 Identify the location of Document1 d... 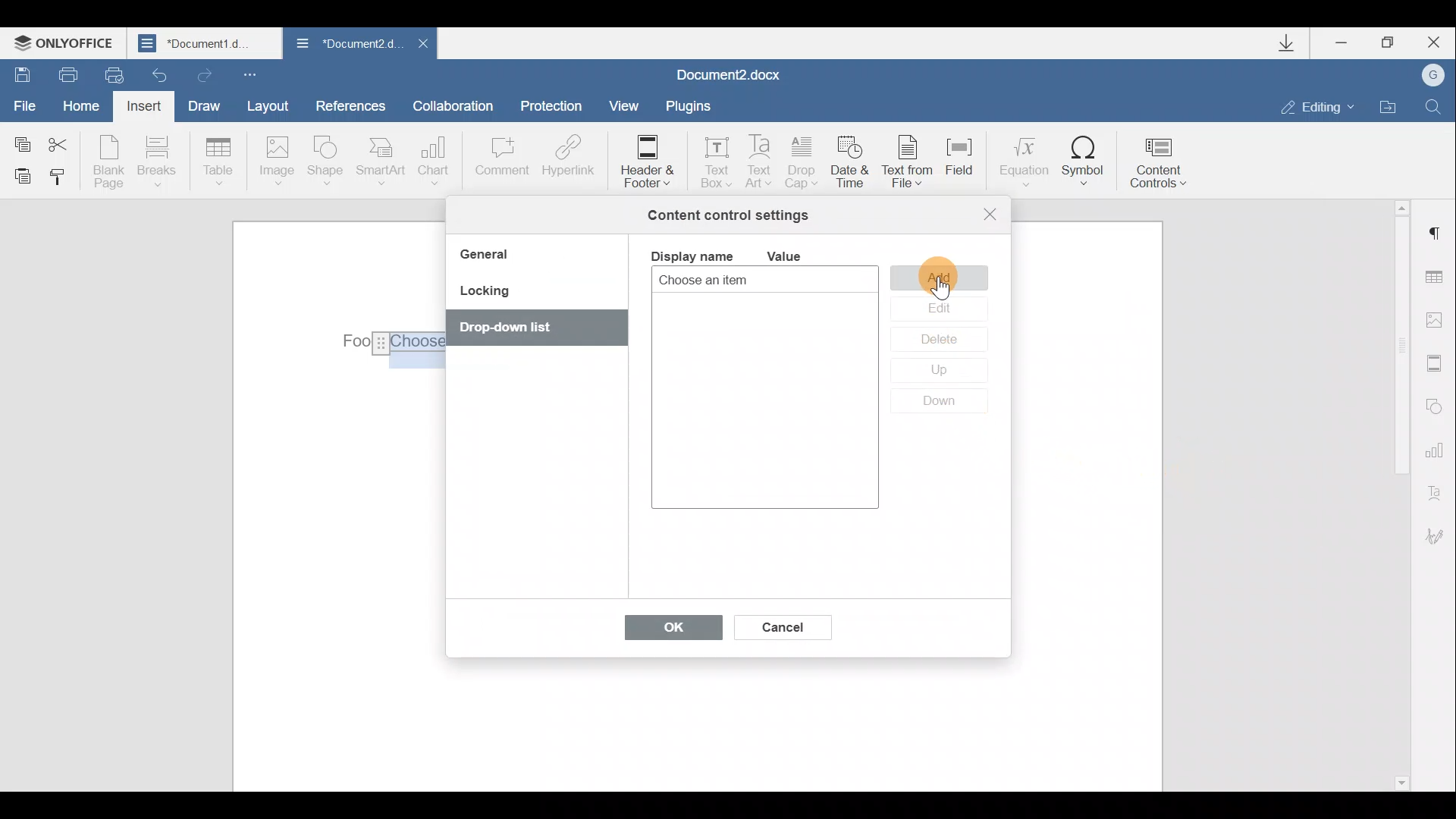
(206, 42).